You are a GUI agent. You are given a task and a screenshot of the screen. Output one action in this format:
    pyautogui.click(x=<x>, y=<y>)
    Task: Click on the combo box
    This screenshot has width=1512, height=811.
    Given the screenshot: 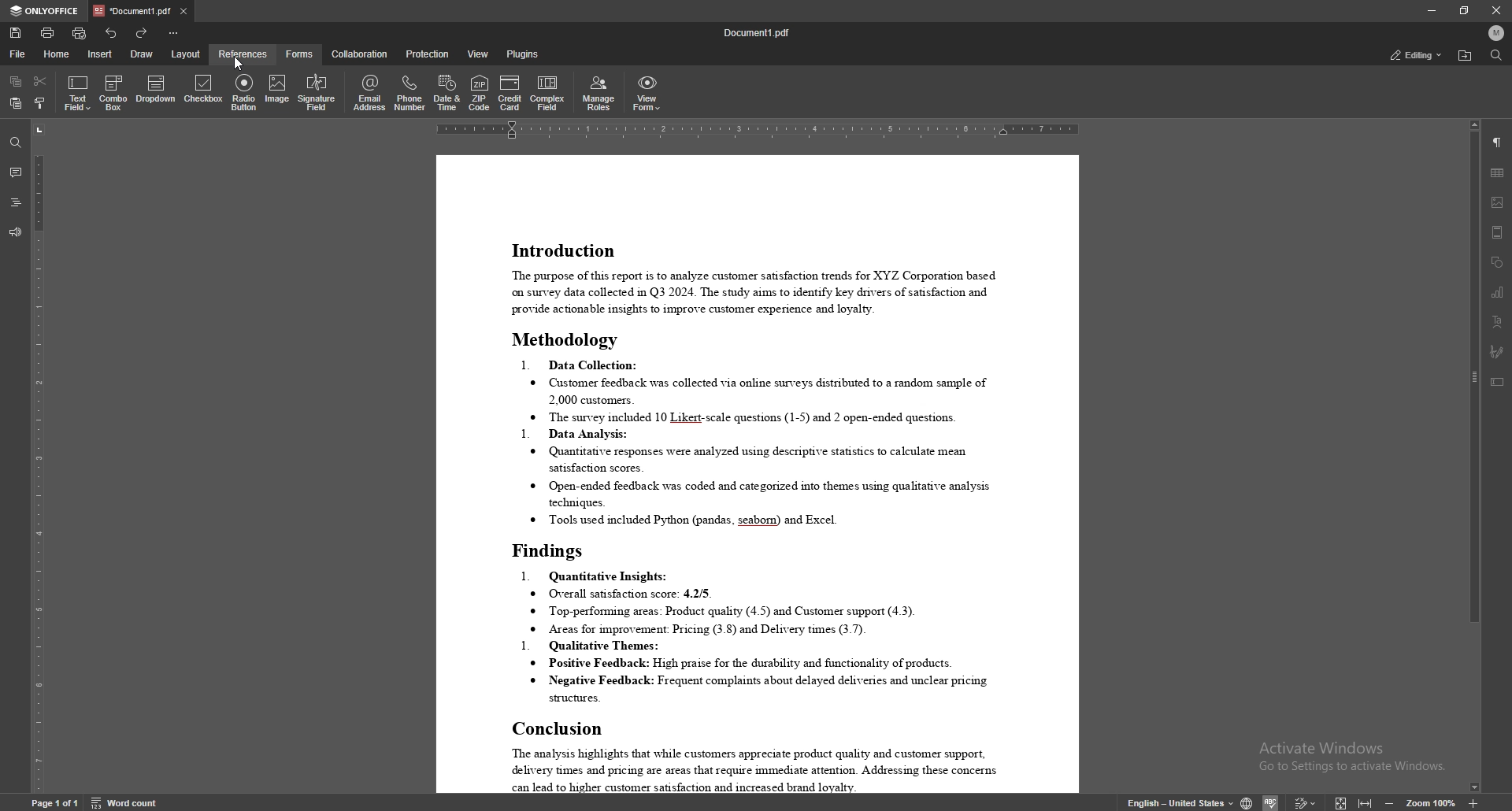 What is the action you would take?
    pyautogui.click(x=113, y=92)
    